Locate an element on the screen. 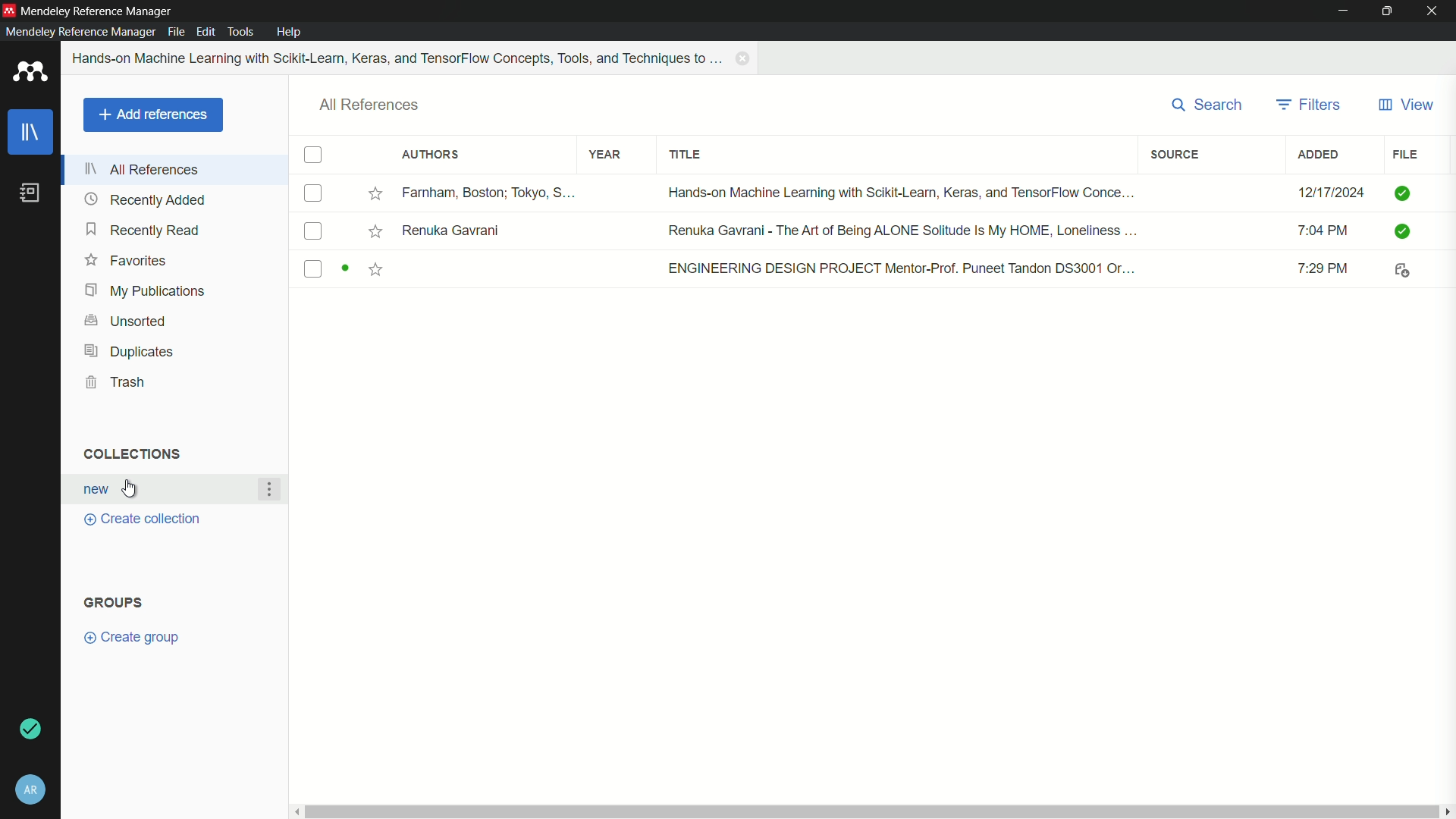 The width and height of the screenshot is (1456, 819). tools menu is located at coordinates (240, 33).